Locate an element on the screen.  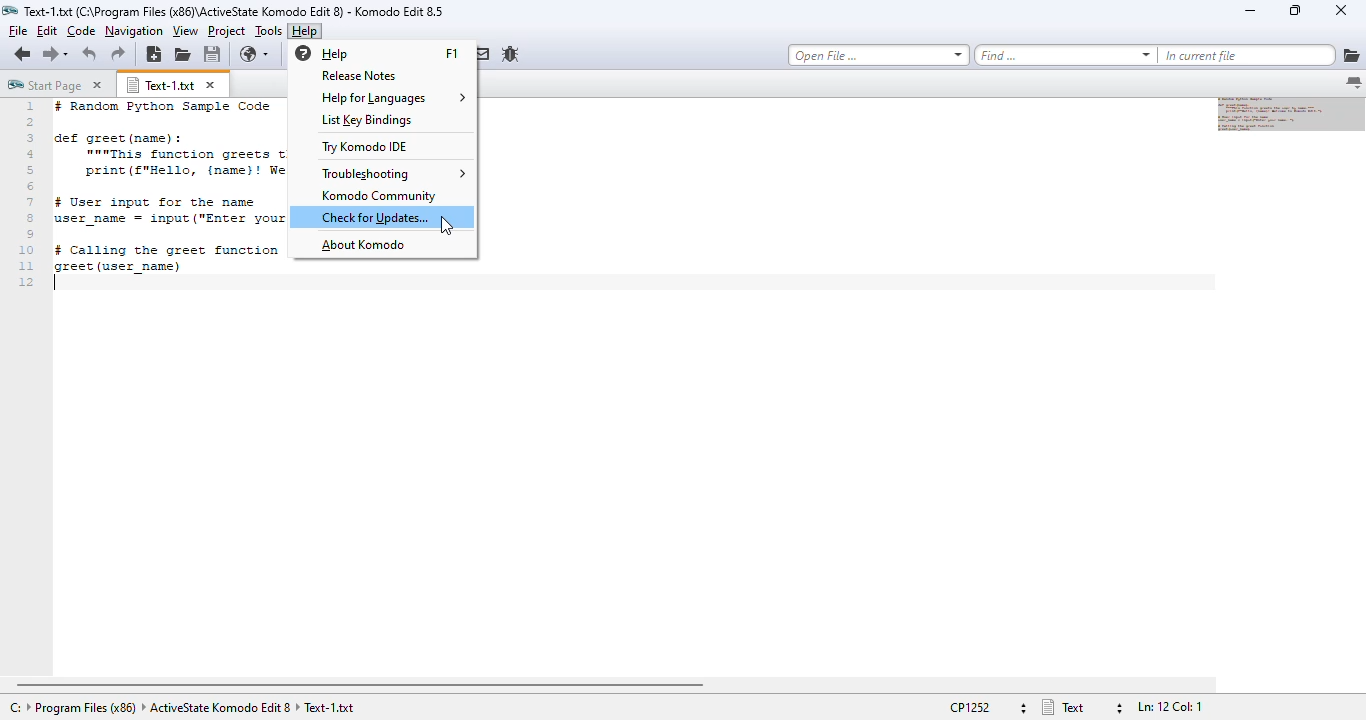
go back one location is located at coordinates (23, 53).